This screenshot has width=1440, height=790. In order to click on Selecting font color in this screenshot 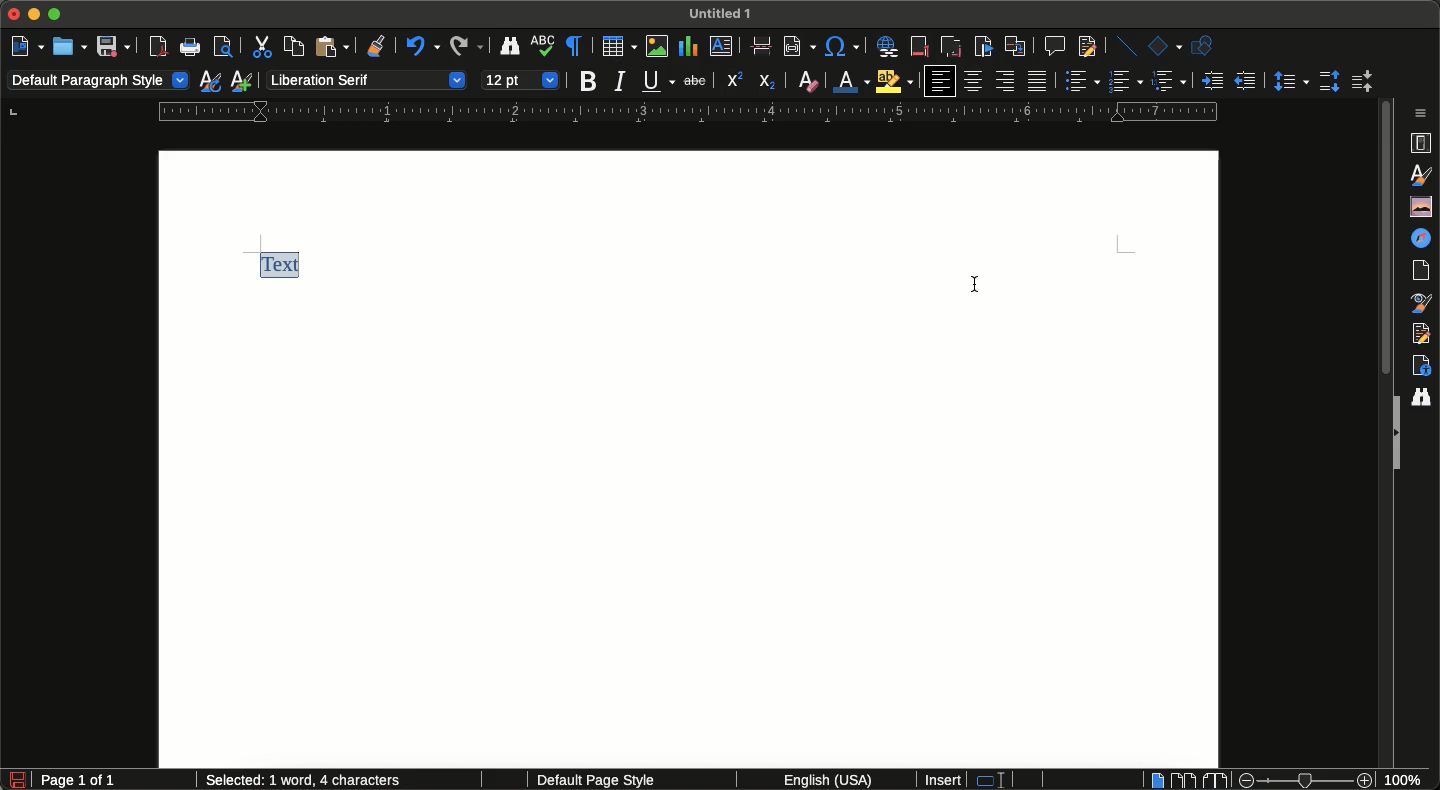, I will do `click(854, 80)`.